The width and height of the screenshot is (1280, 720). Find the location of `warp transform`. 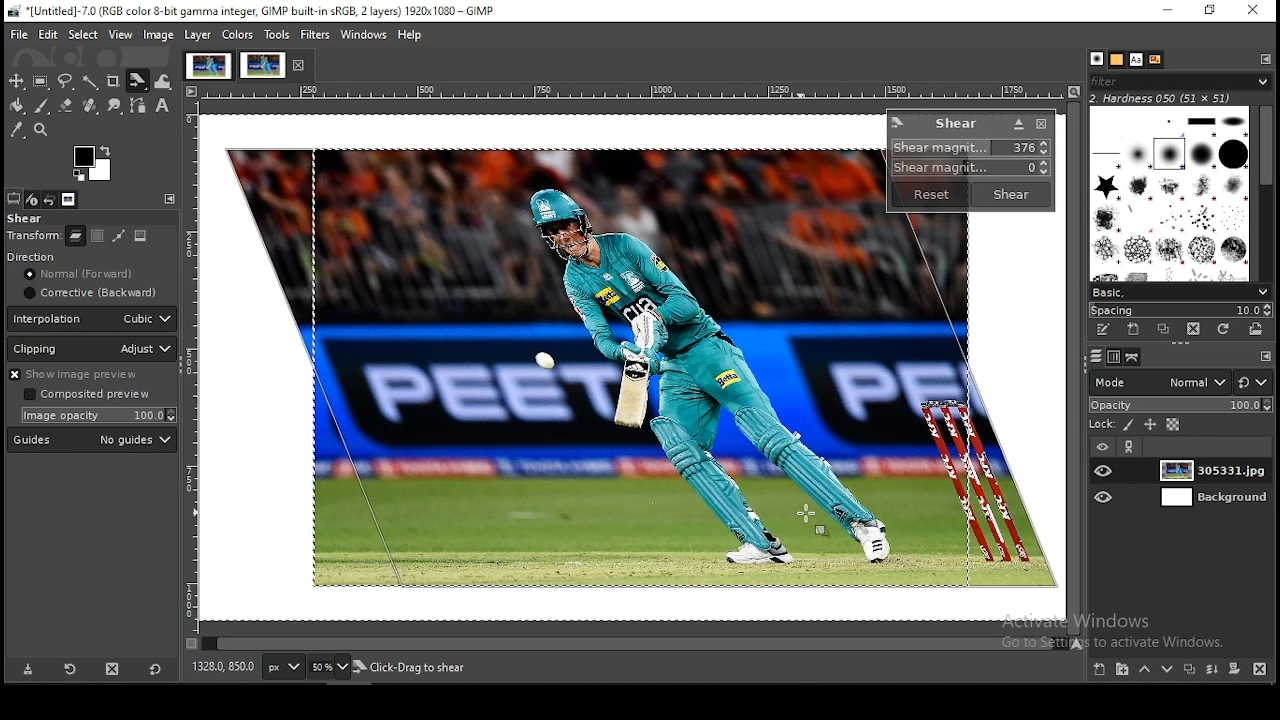

warp transform is located at coordinates (167, 82).